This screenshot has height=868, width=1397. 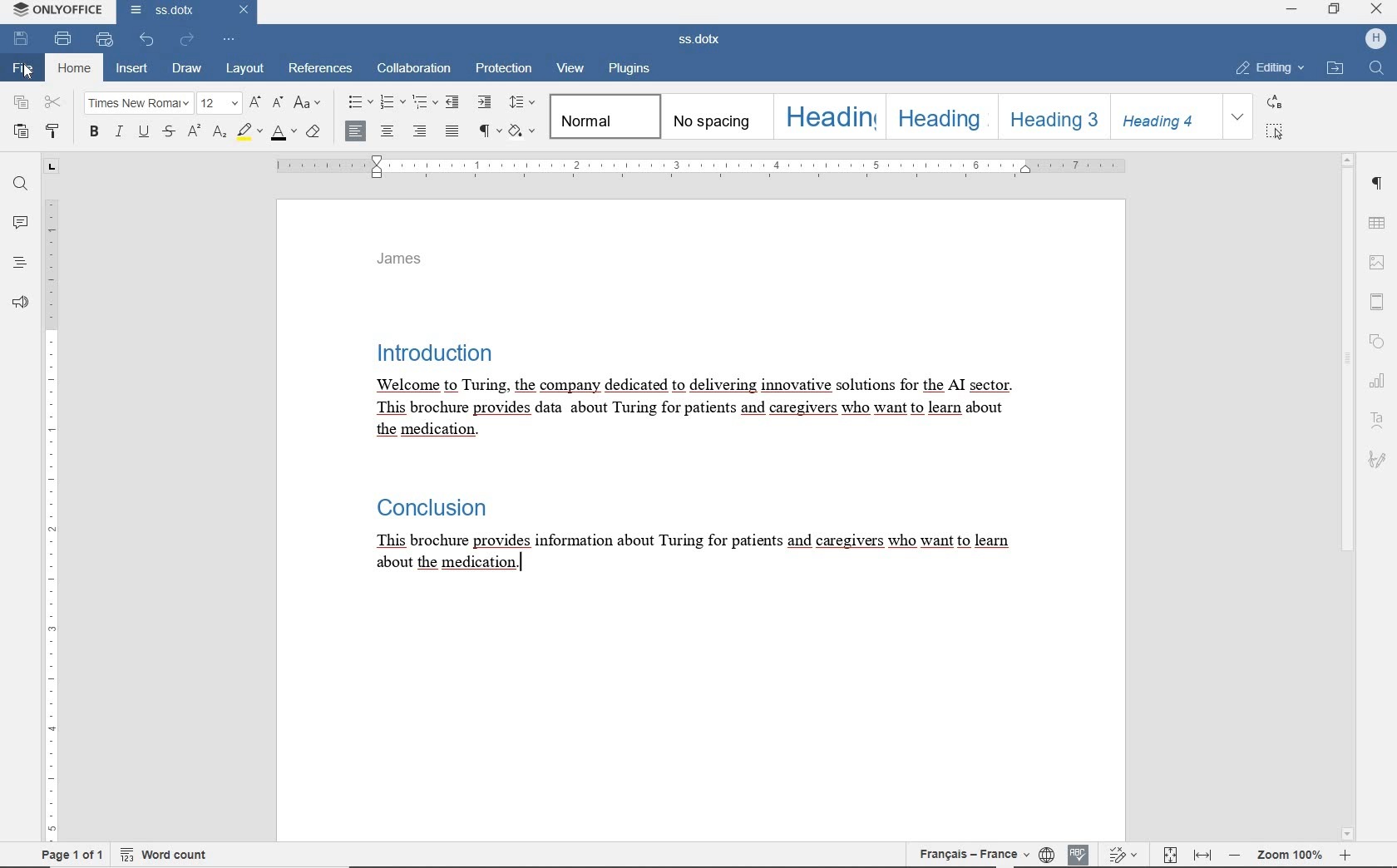 What do you see at coordinates (453, 131) in the screenshot?
I see `JUSTIFIED` at bounding box center [453, 131].